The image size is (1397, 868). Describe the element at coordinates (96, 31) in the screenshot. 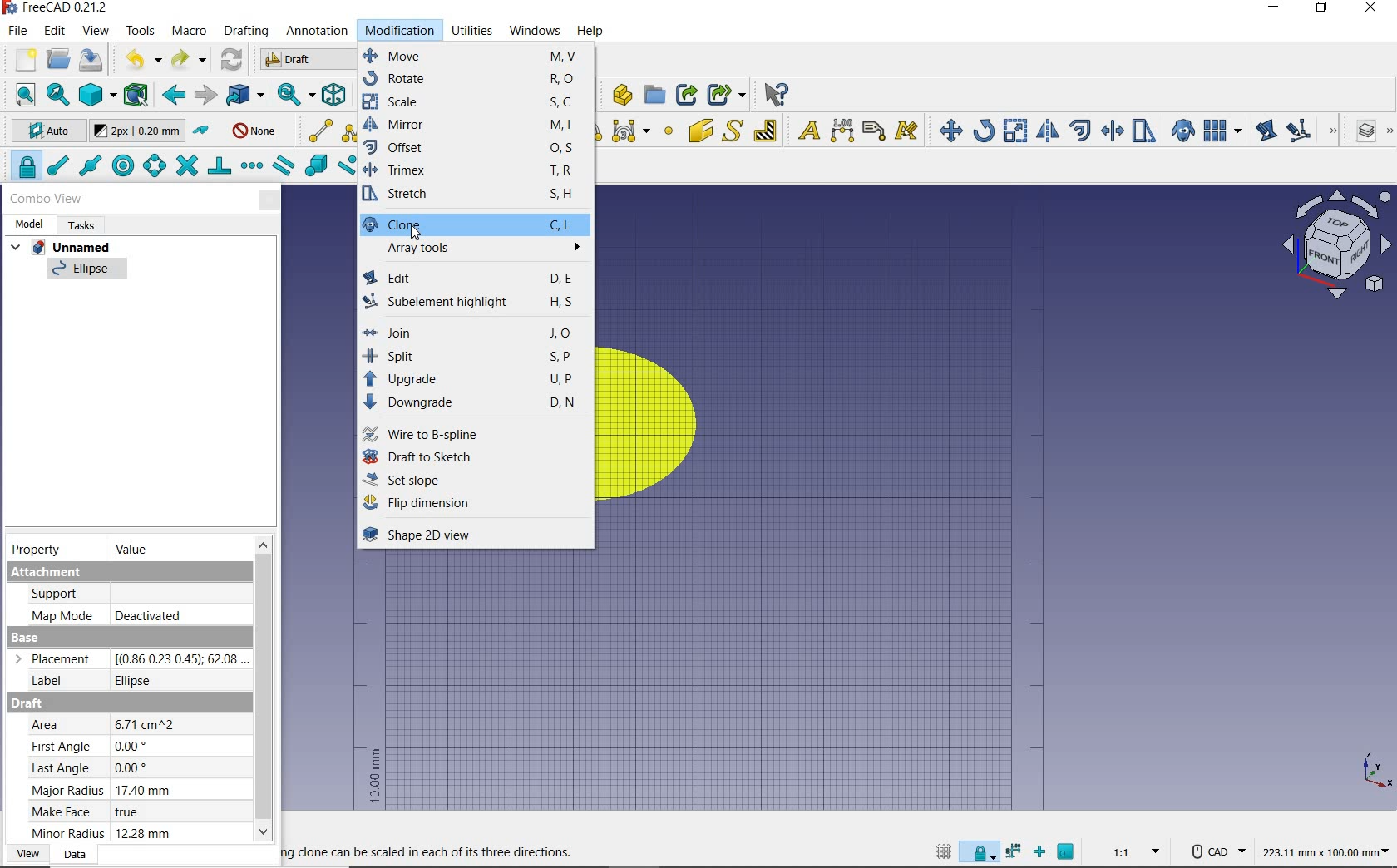

I see `view` at that location.